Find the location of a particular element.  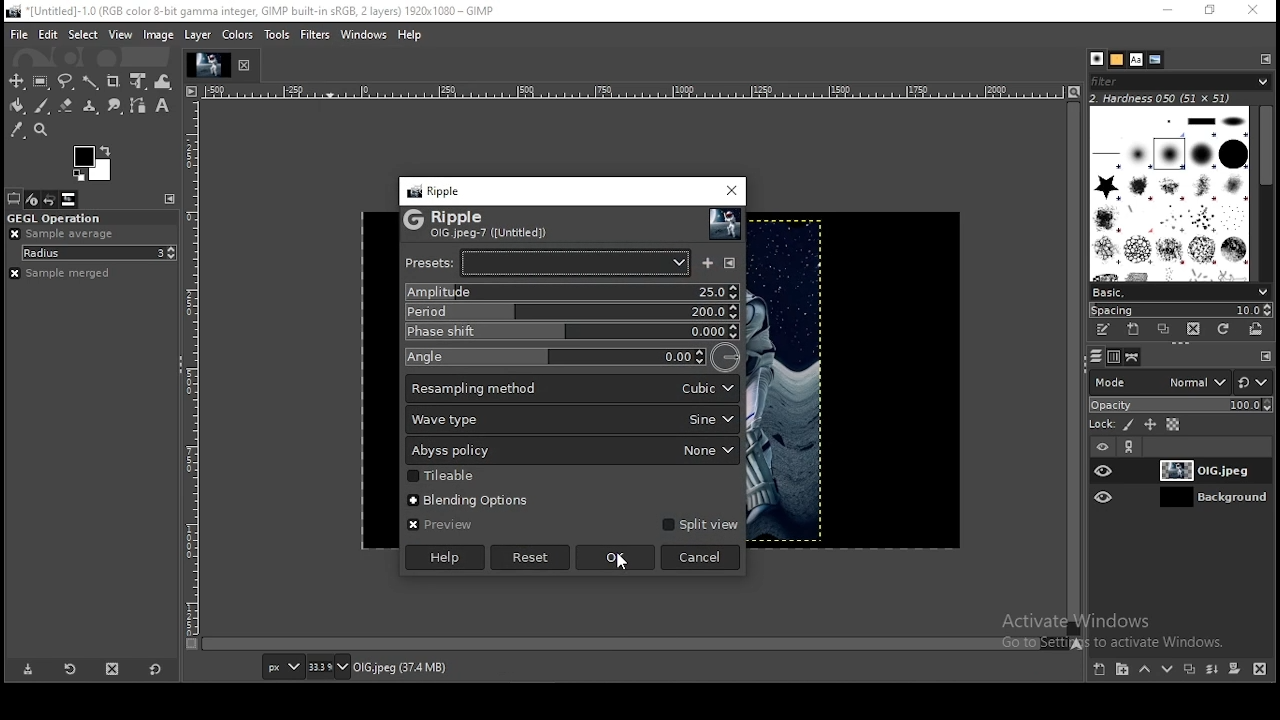

clone tool is located at coordinates (91, 107).